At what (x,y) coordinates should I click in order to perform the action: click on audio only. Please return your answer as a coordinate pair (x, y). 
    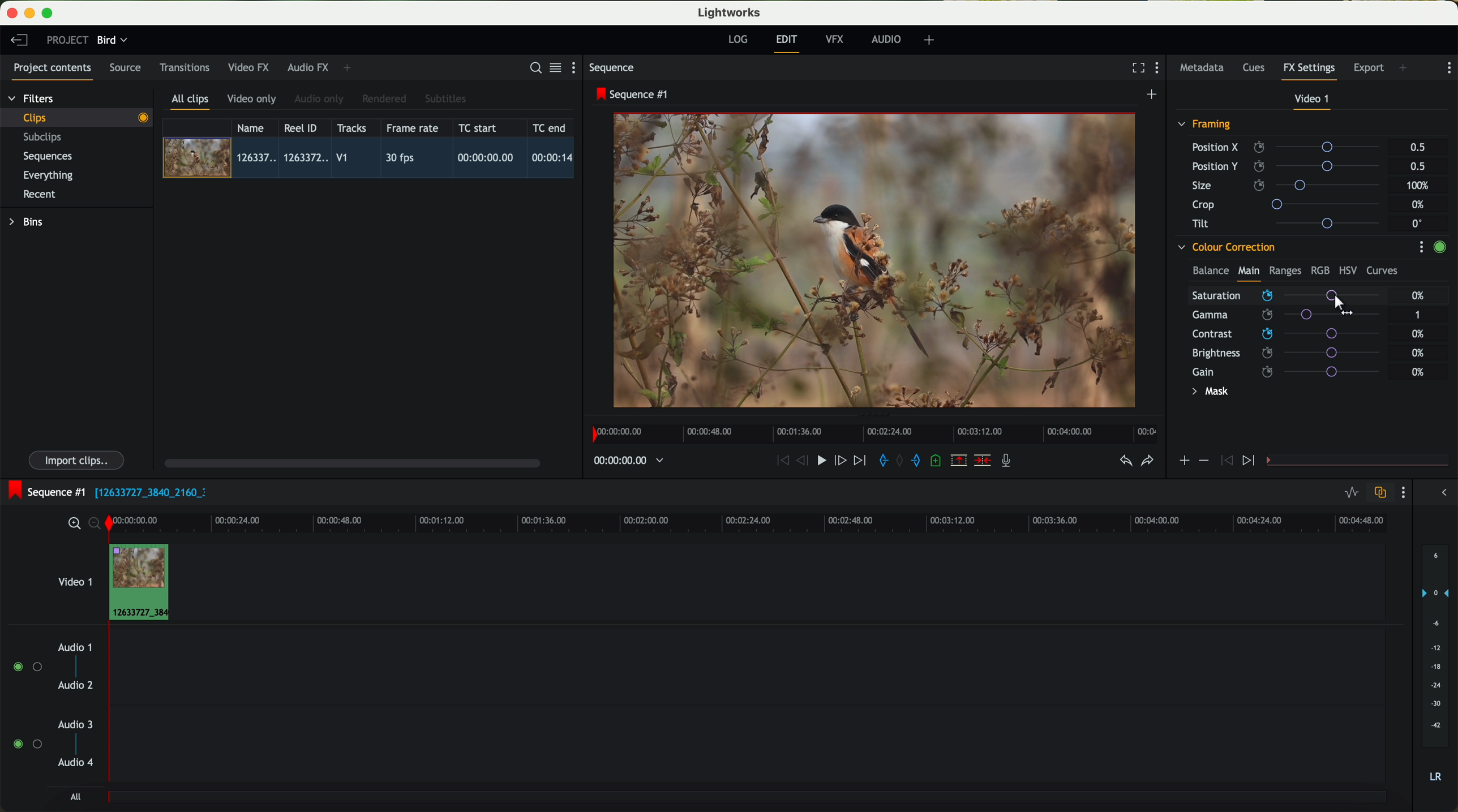
    Looking at the image, I should click on (320, 99).